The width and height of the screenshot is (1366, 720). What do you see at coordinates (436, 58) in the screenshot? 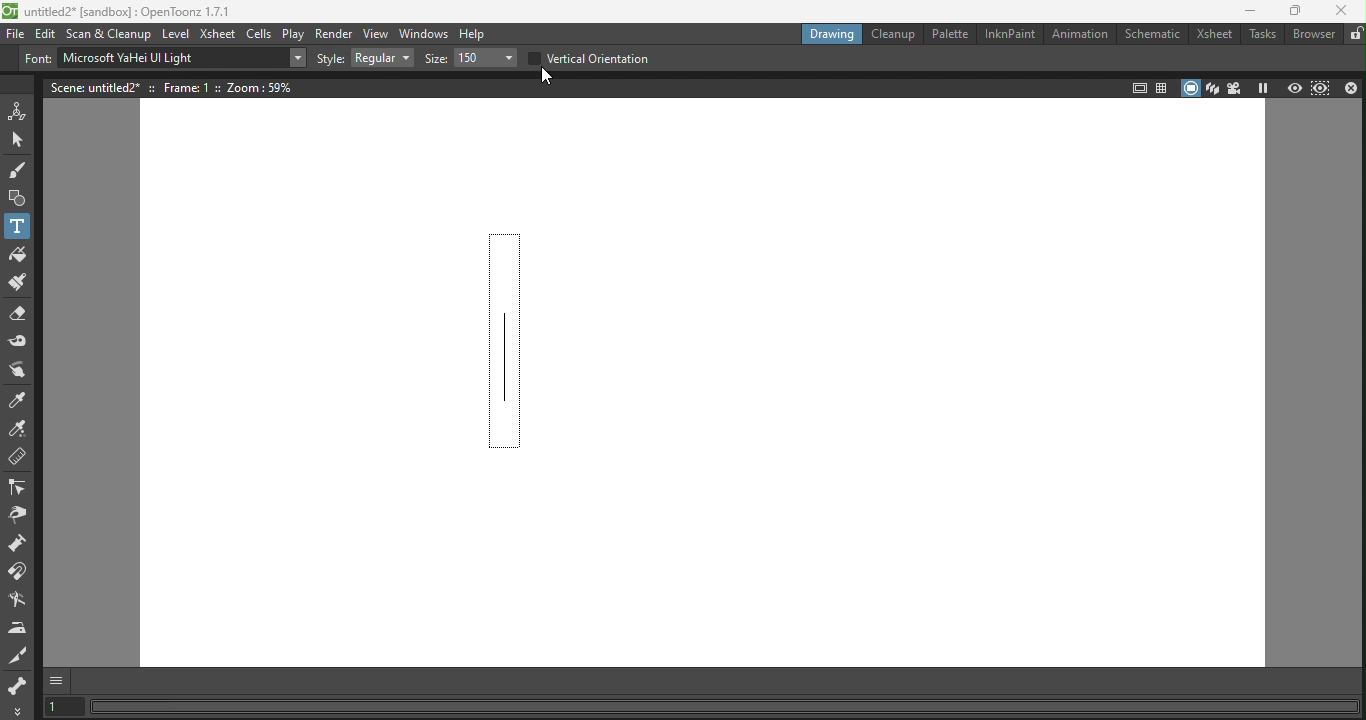
I see `Size` at bounding box center [436, 58].